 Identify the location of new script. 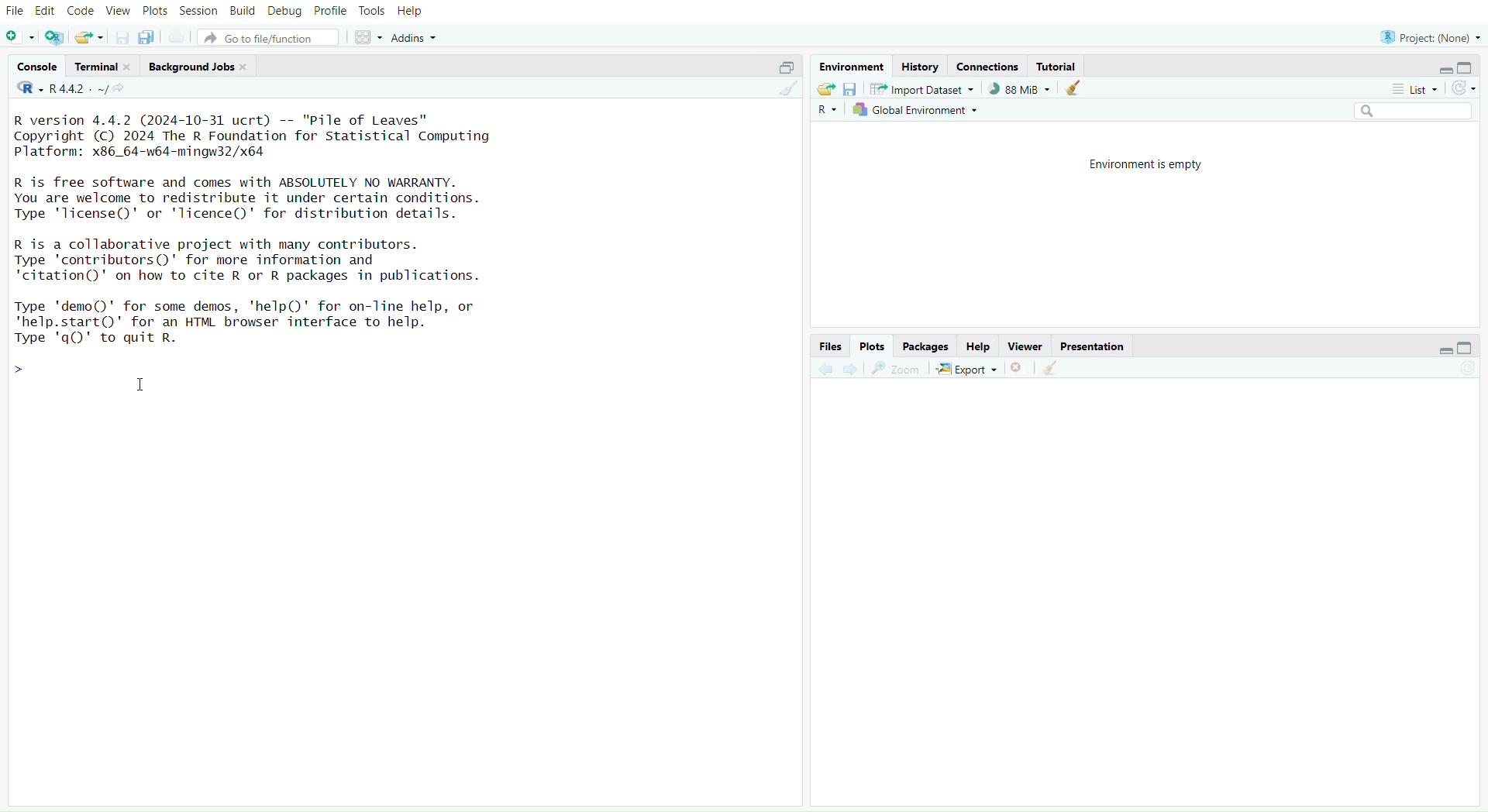
(21, 38).